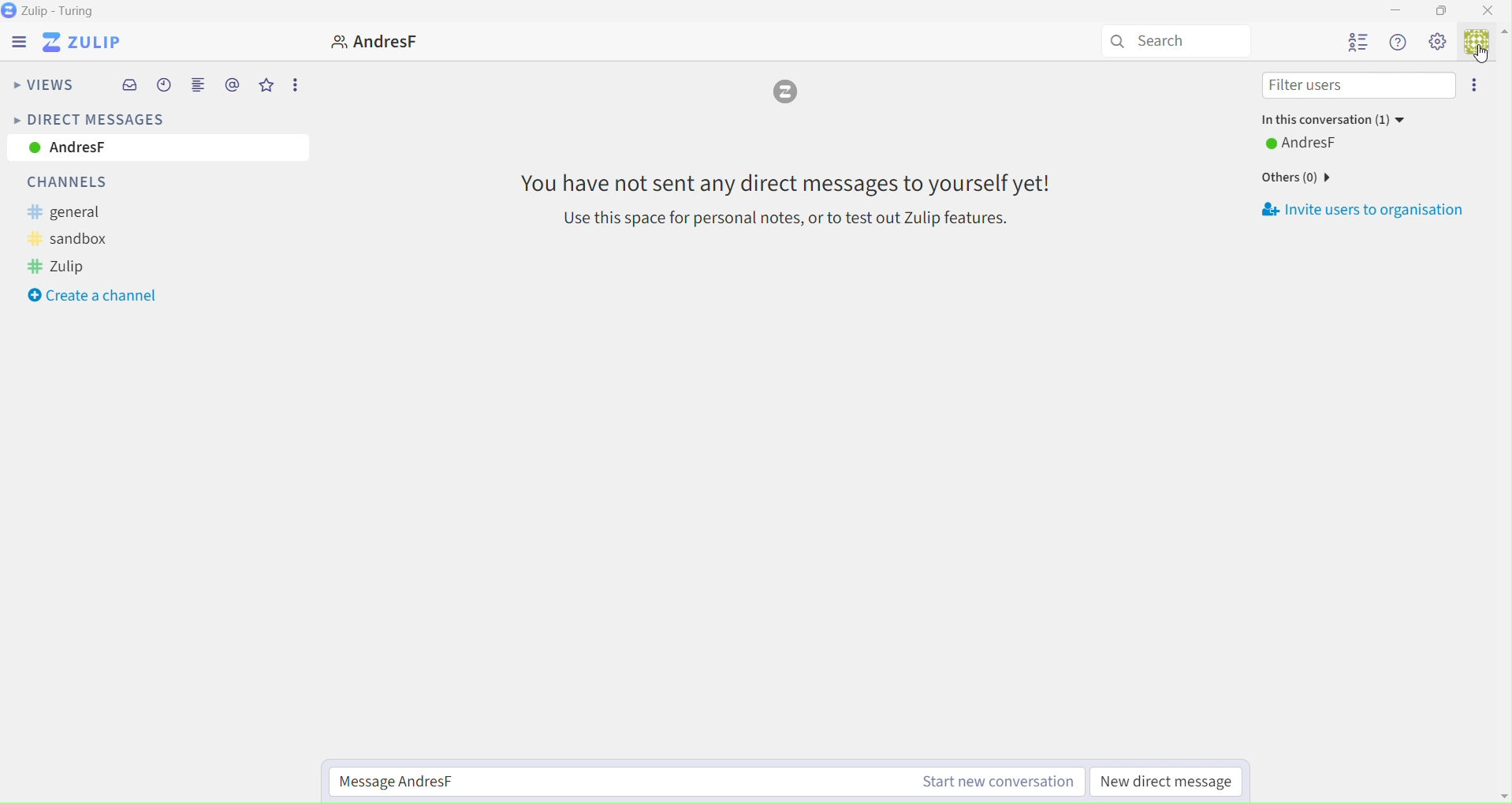 This screenshot has width=1512, height=803. Describe the element at coordinates (1475, 87) in the screenshot. I see `More` at that location.